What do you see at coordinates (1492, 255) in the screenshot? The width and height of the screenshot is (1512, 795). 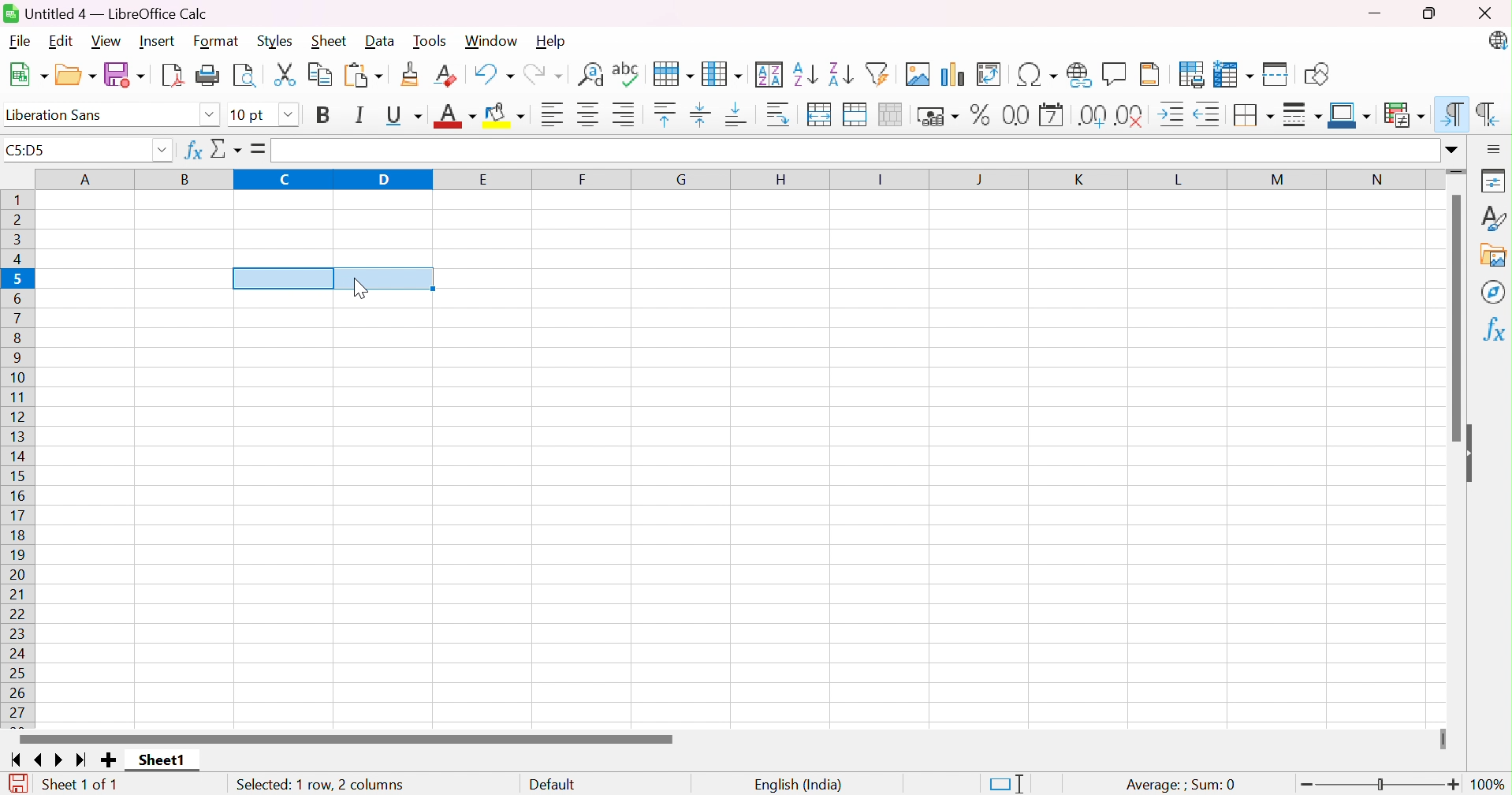 I see `Gallery` at bounding box center [1492, 255].